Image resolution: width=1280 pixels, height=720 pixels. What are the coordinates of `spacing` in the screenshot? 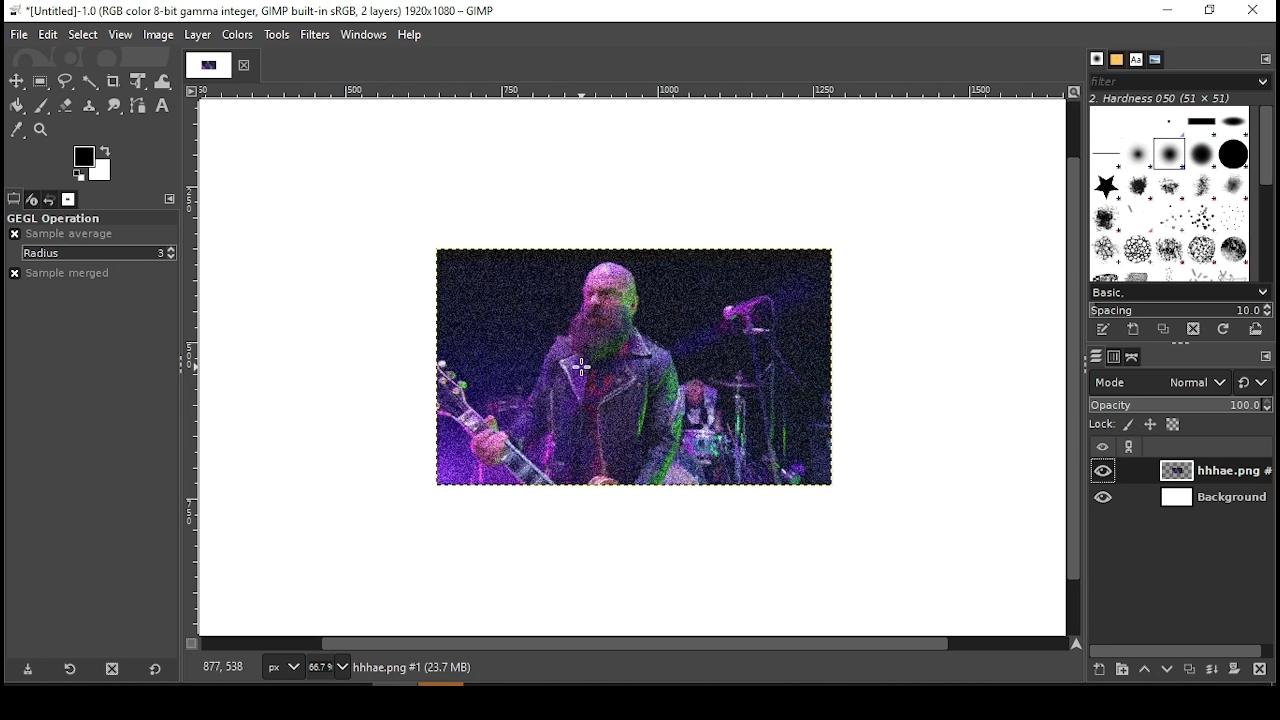 It's located at (1185, 311).